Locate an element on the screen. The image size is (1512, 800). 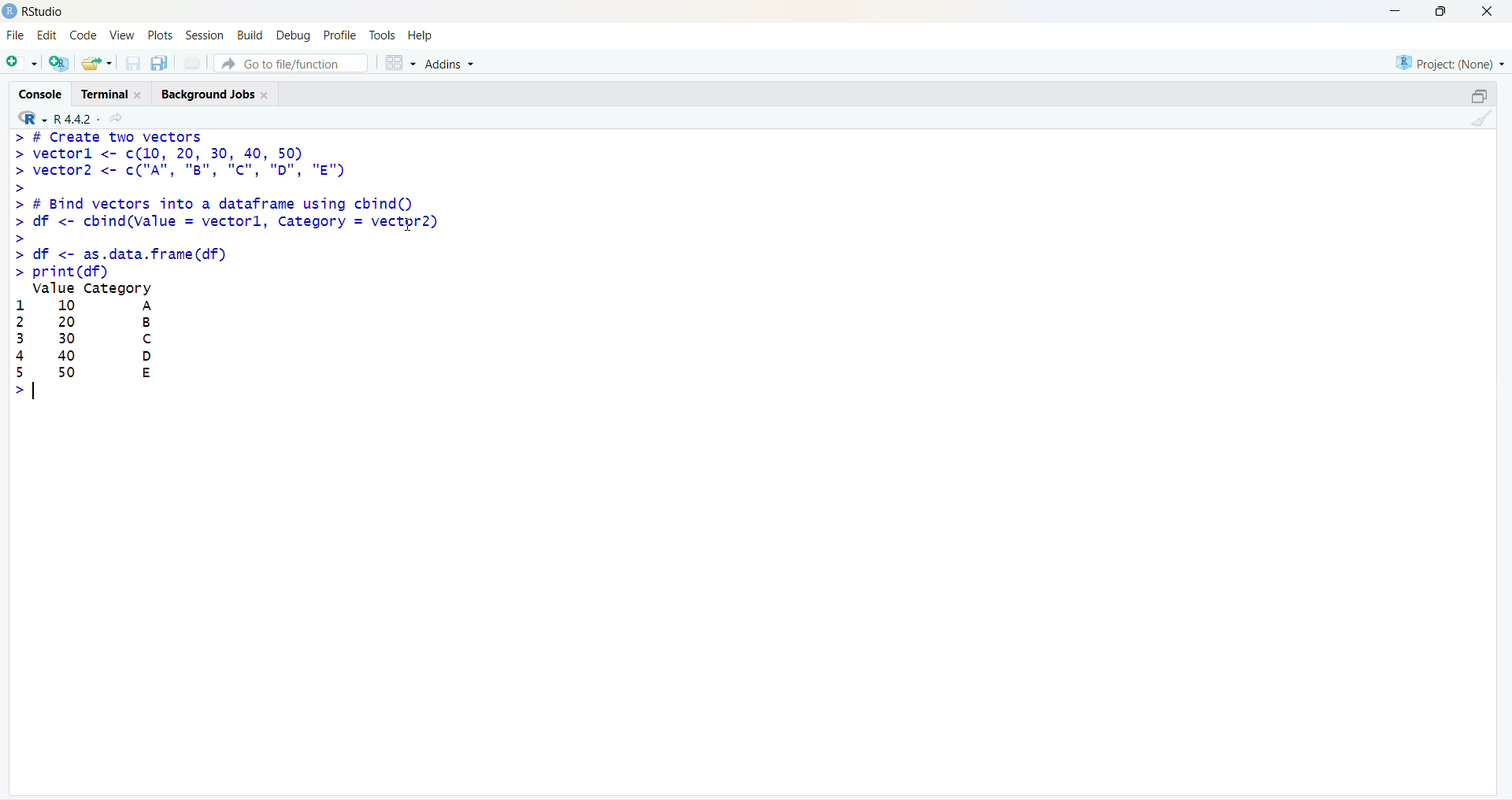
open existing document is located at coordinates (97, 64).